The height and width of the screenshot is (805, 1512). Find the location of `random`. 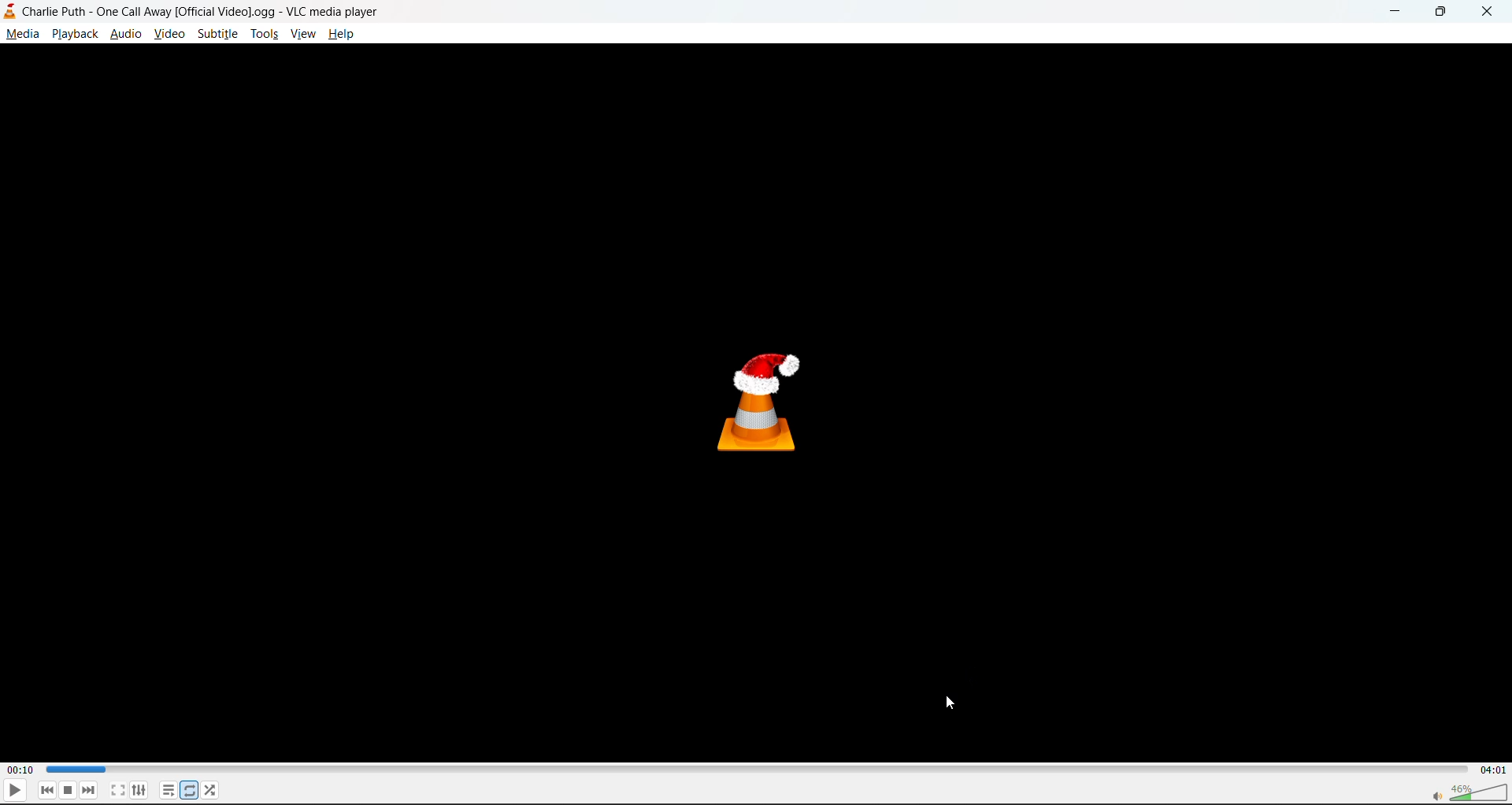

random is located at coordinates (211, 791).